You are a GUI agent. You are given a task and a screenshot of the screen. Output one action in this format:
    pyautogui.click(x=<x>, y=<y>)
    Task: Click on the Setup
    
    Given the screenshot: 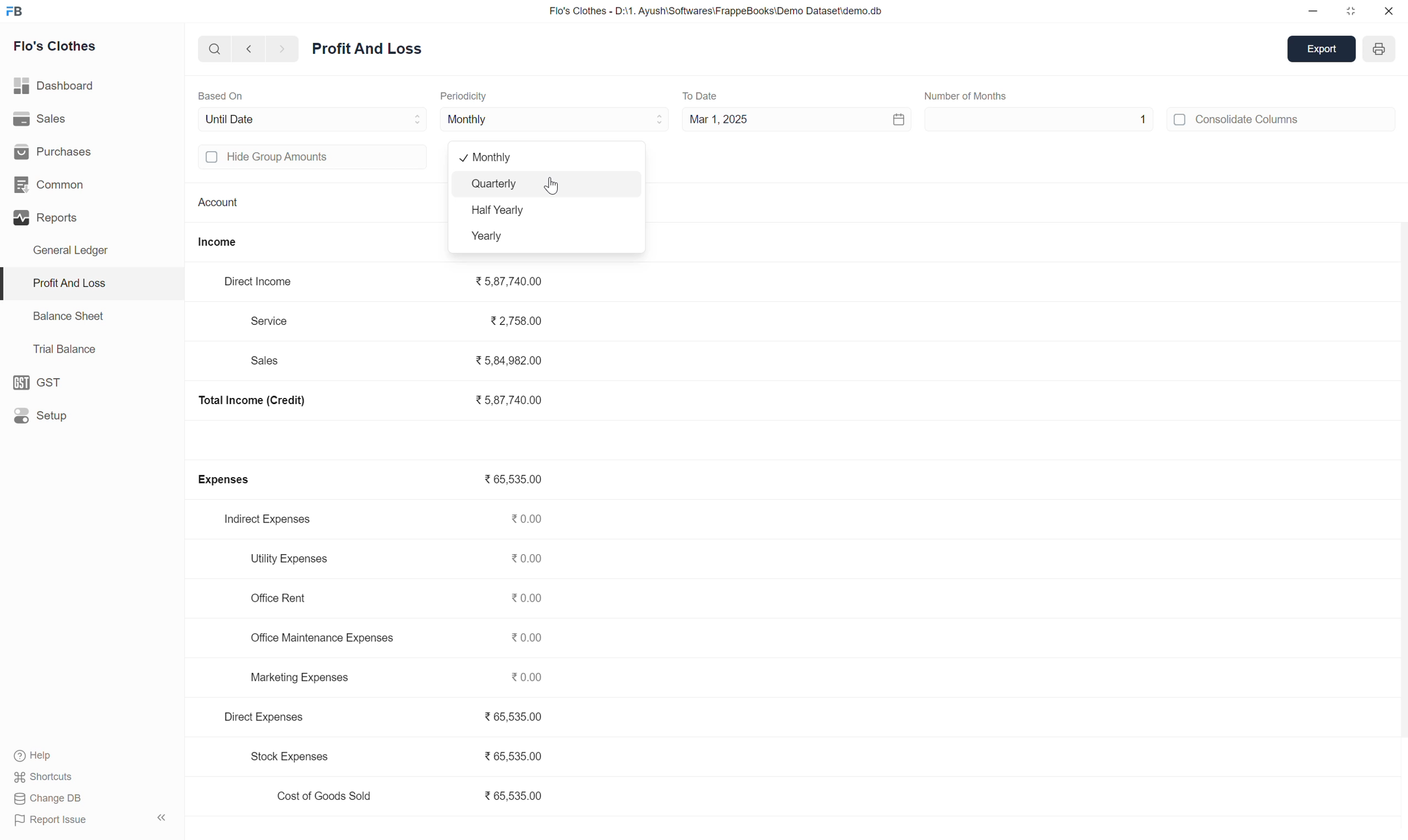 What is the action you would take?
    pyautogui.click(x=48, y=413)
    